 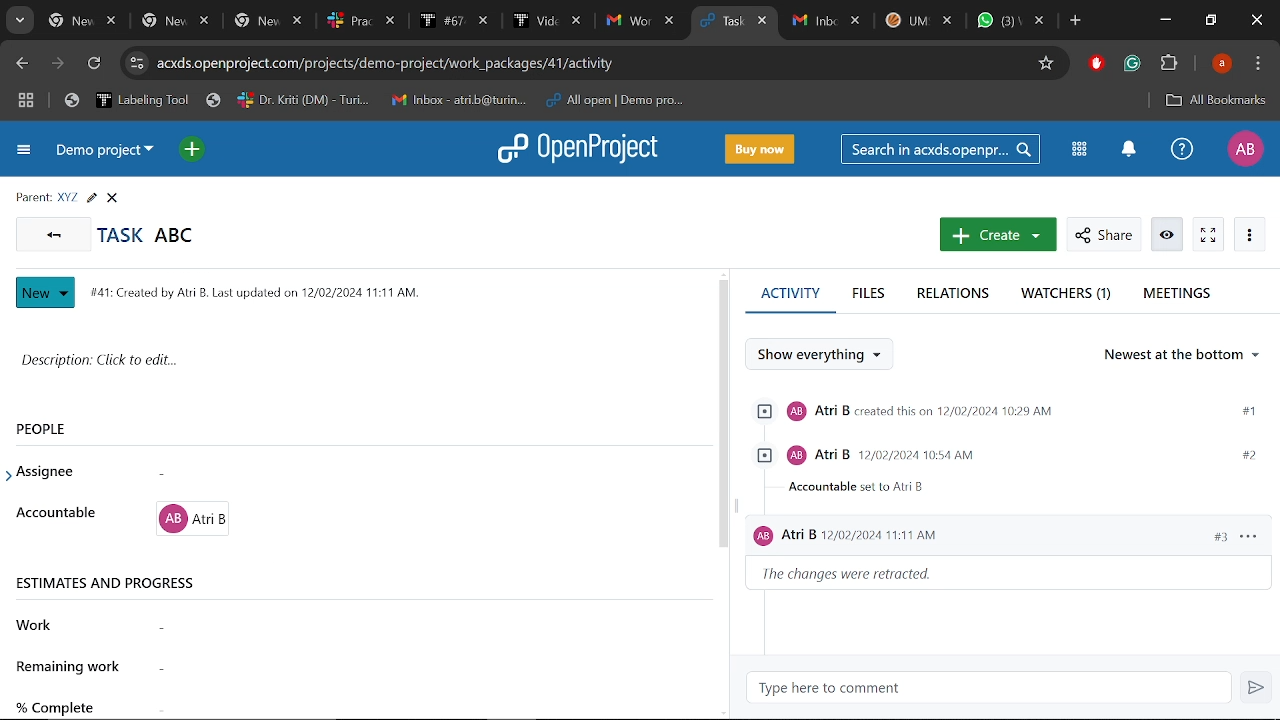 I want to click on Tab groups, so click(x=26, y=103).